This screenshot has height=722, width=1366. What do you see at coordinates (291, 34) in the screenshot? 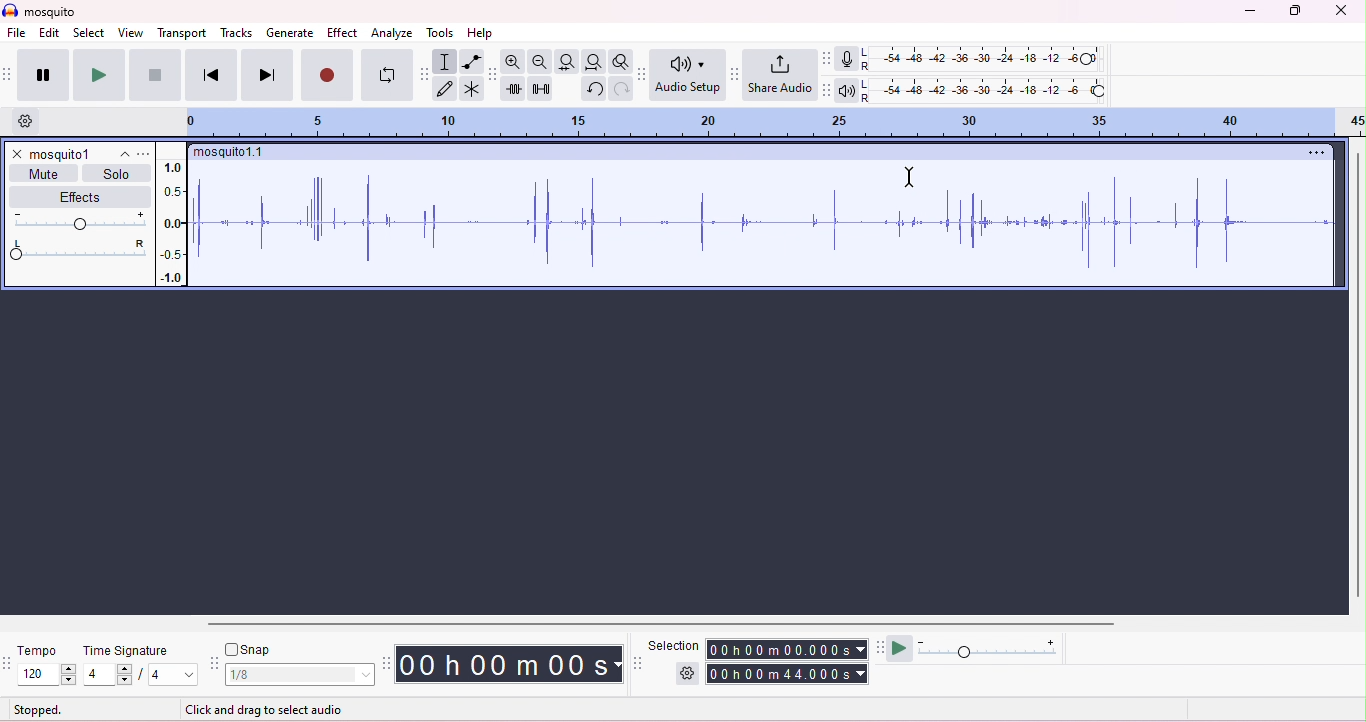
I see `generate` at bounding box center [291, 34].